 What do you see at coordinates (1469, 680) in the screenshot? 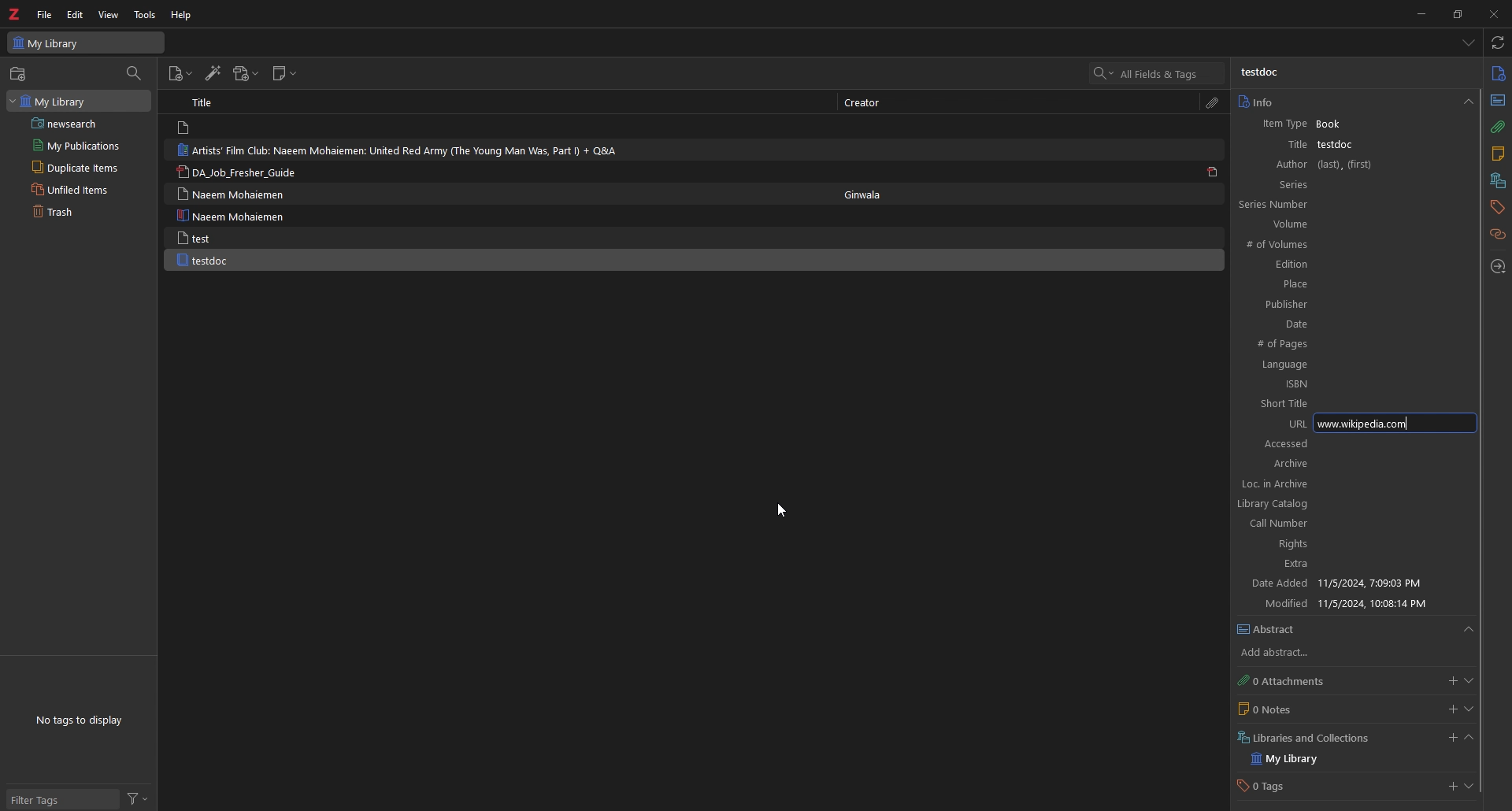
I see `show` at bounding box center [1469, 680].